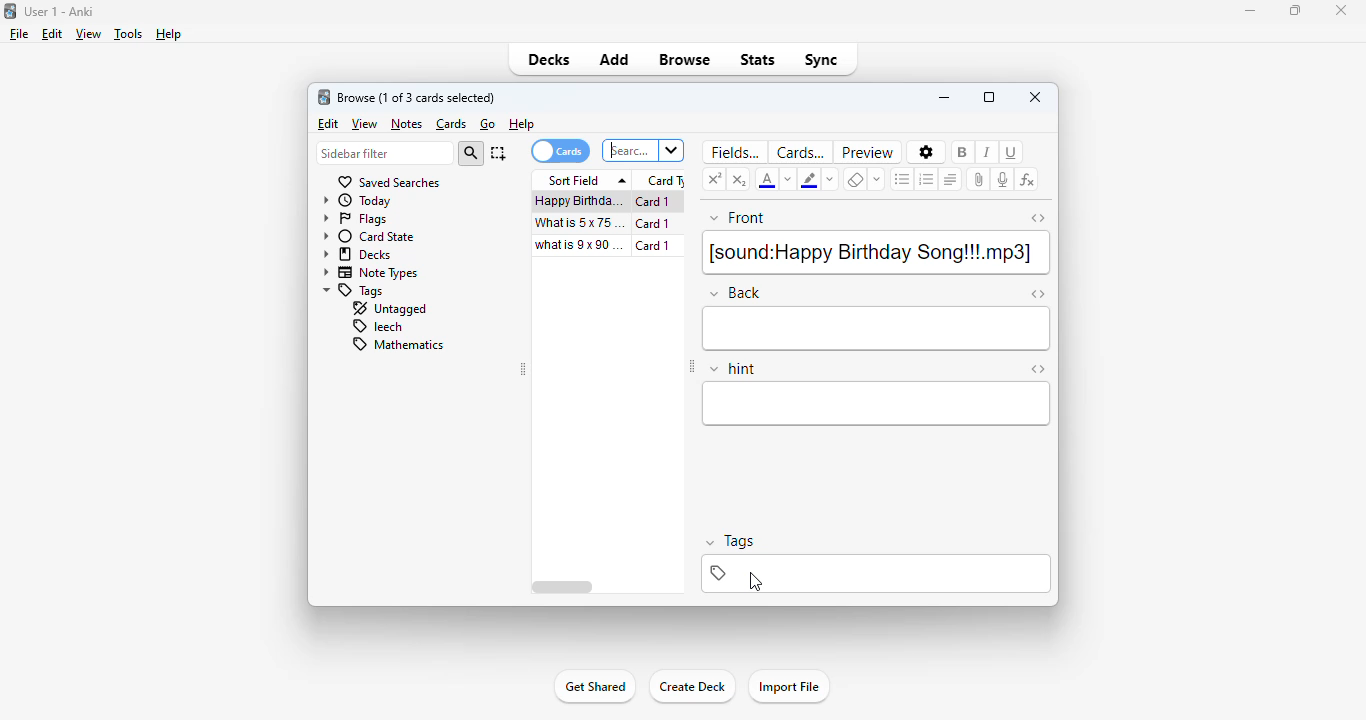 The image size is (1366, 720). I want to click on User-1 Anki, so click(61, 12).